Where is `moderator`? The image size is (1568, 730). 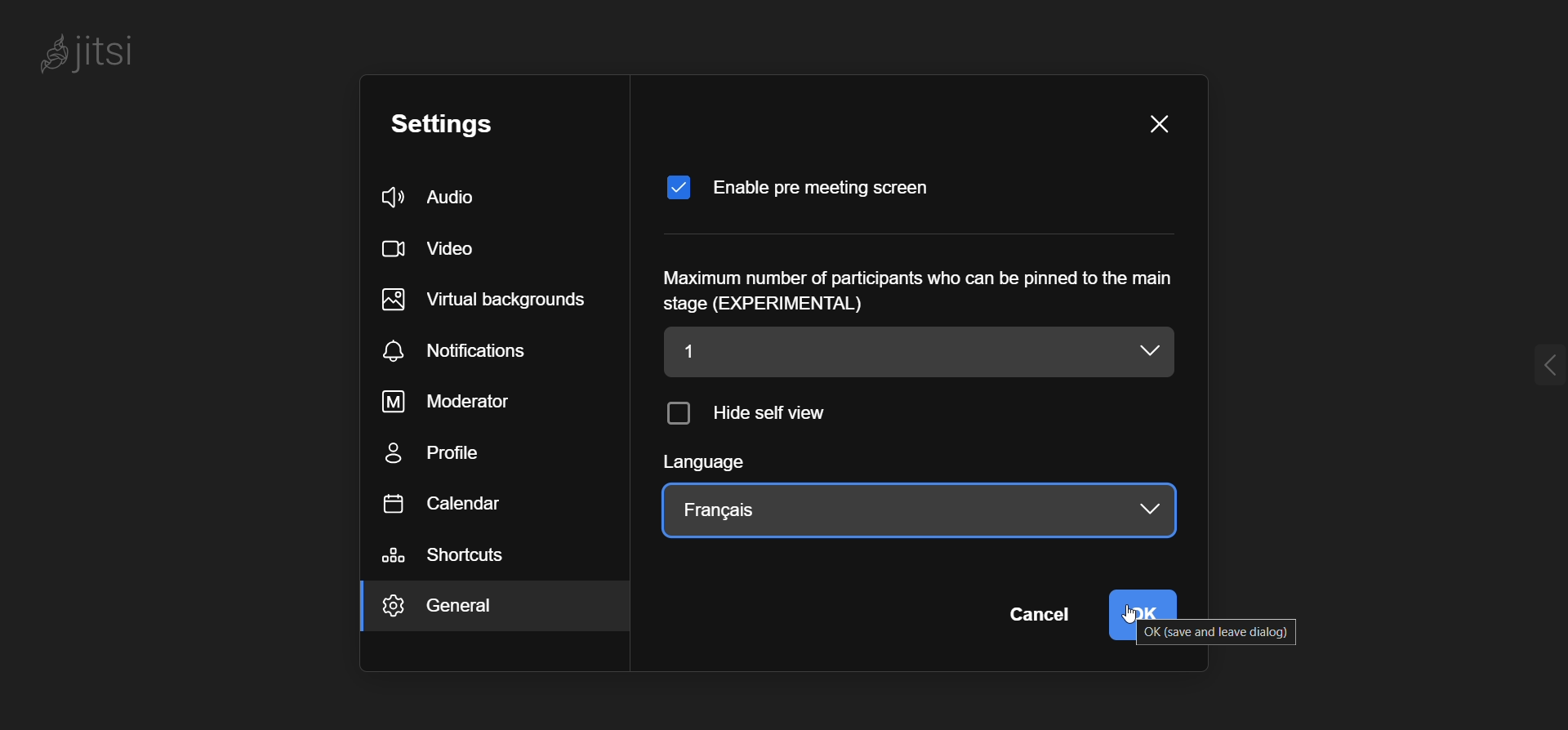
moderator is located at coordinates (456, 402).